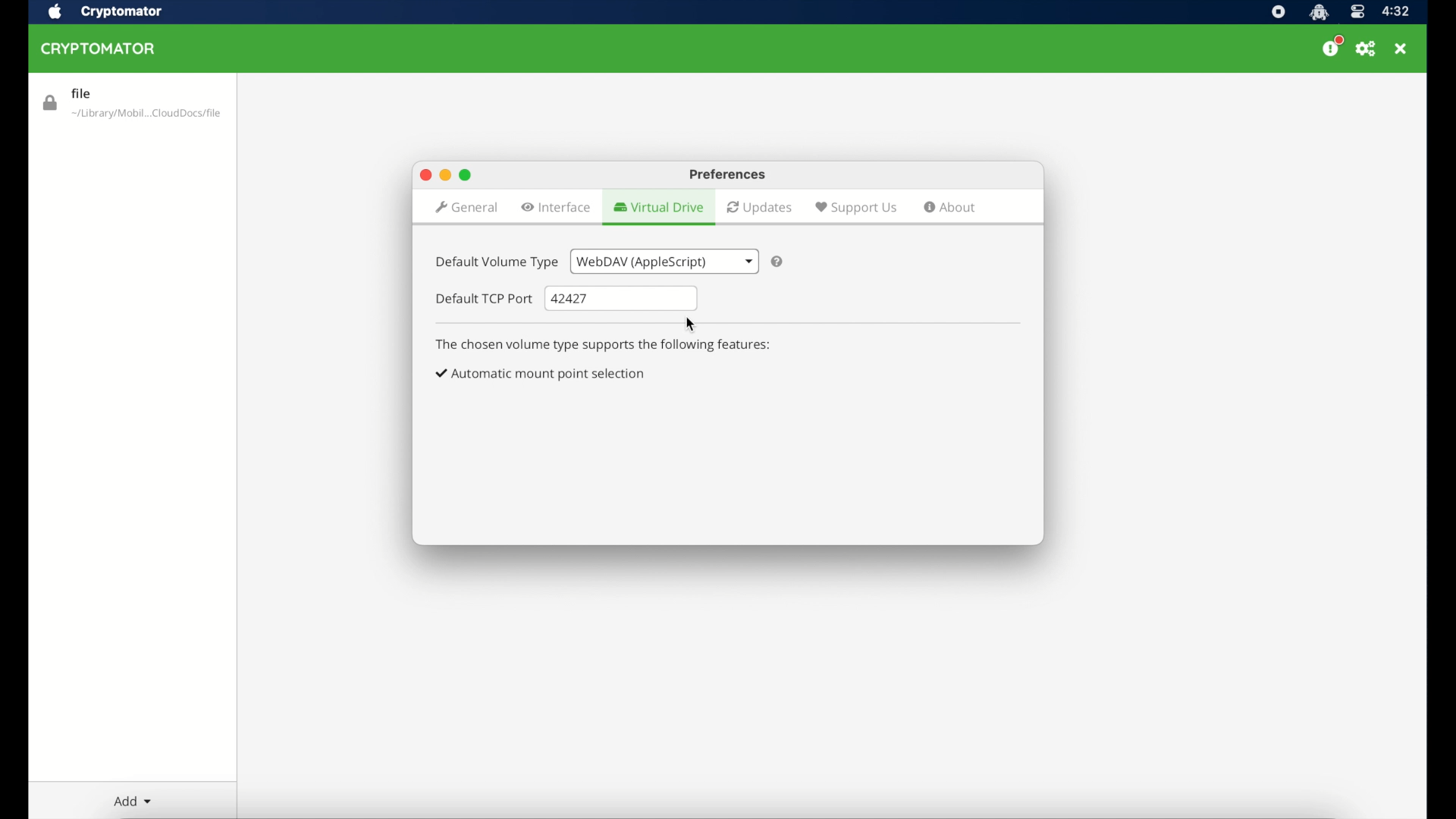 The width and height of the screenshot is (1456, 819). I want to click on apple icon, so click(53, 12).